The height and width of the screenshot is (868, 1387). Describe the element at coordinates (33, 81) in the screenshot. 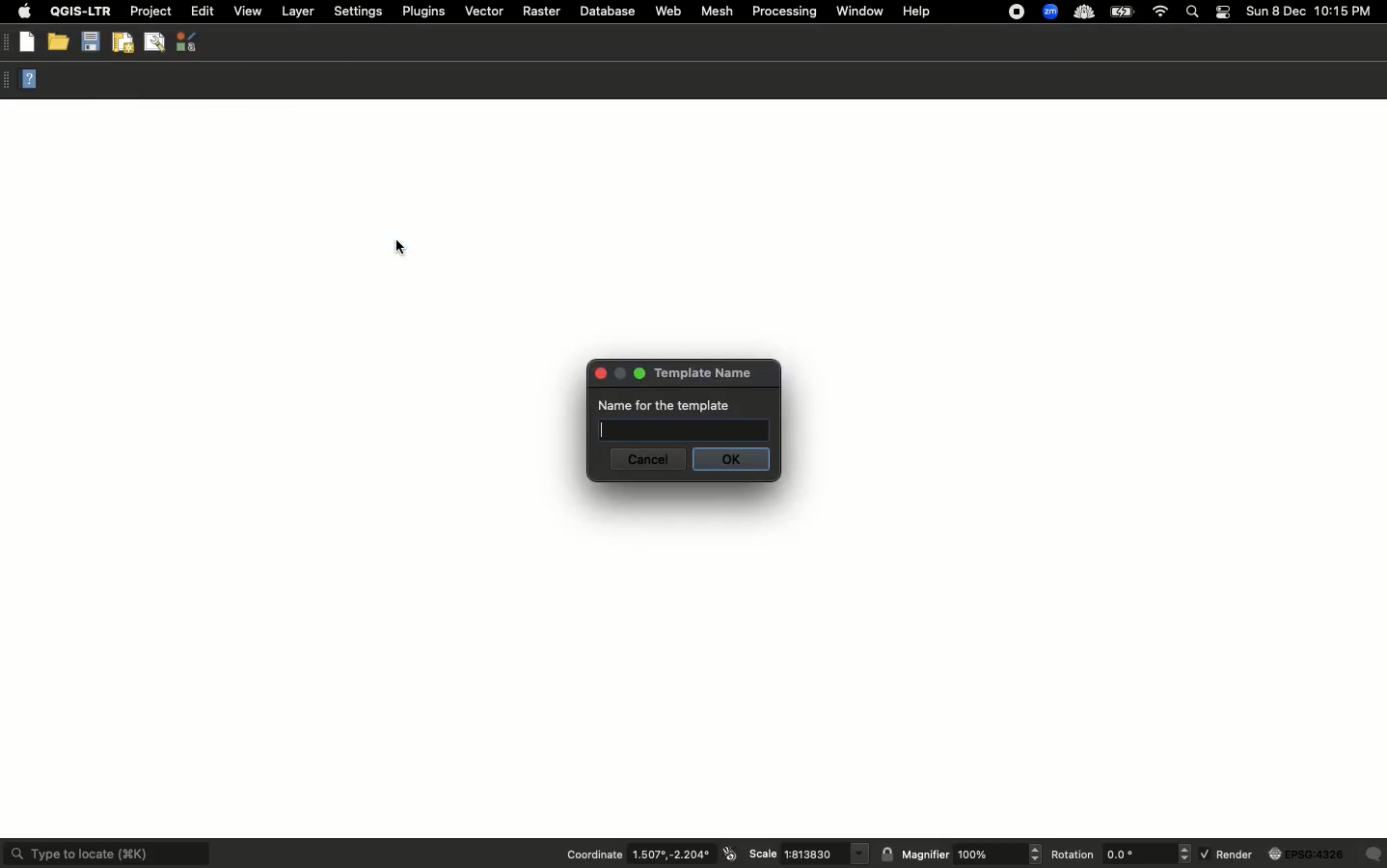

I see `Help` at that location.